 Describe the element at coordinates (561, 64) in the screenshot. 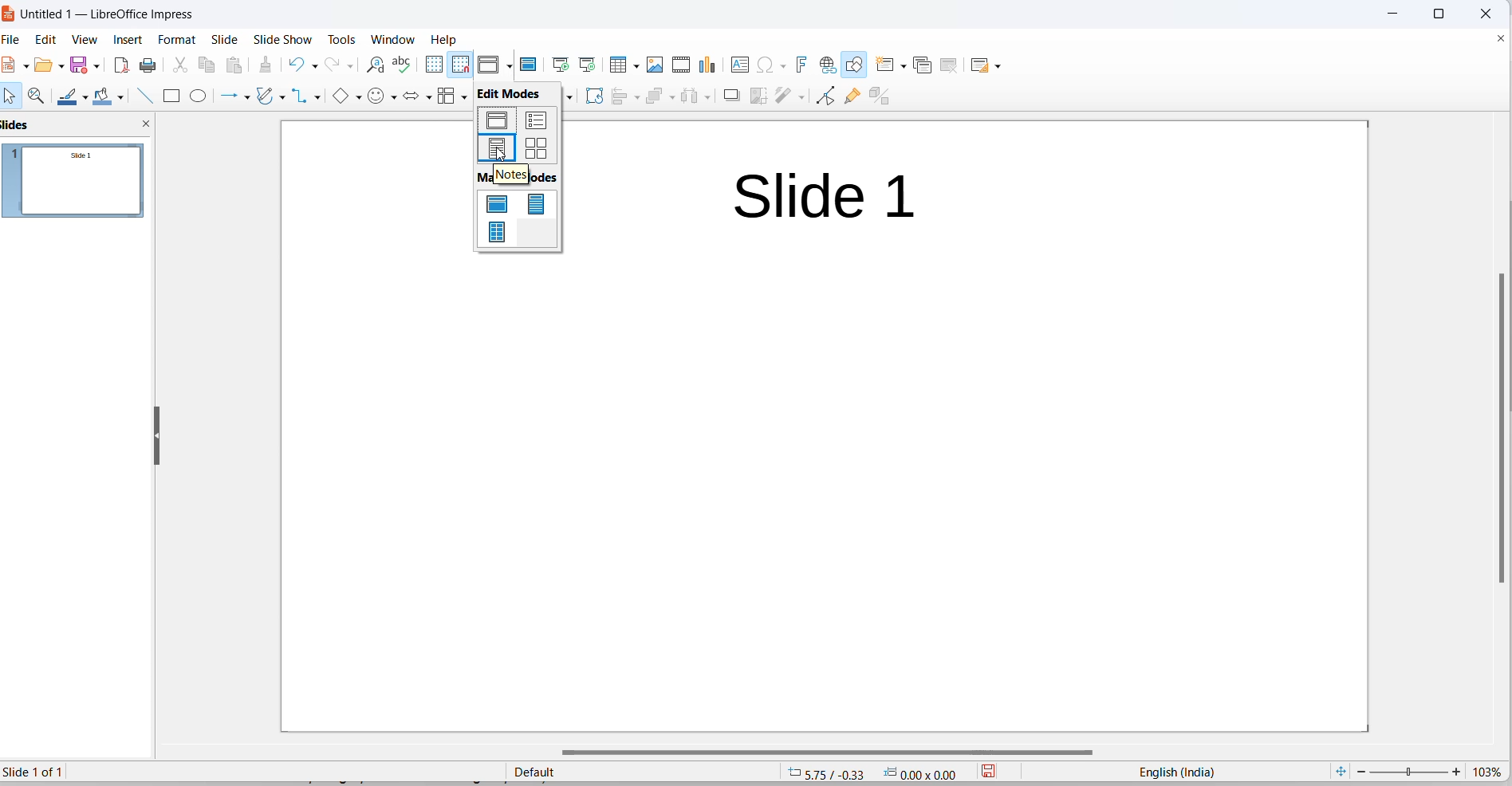

I see `start from first slide` at that location.